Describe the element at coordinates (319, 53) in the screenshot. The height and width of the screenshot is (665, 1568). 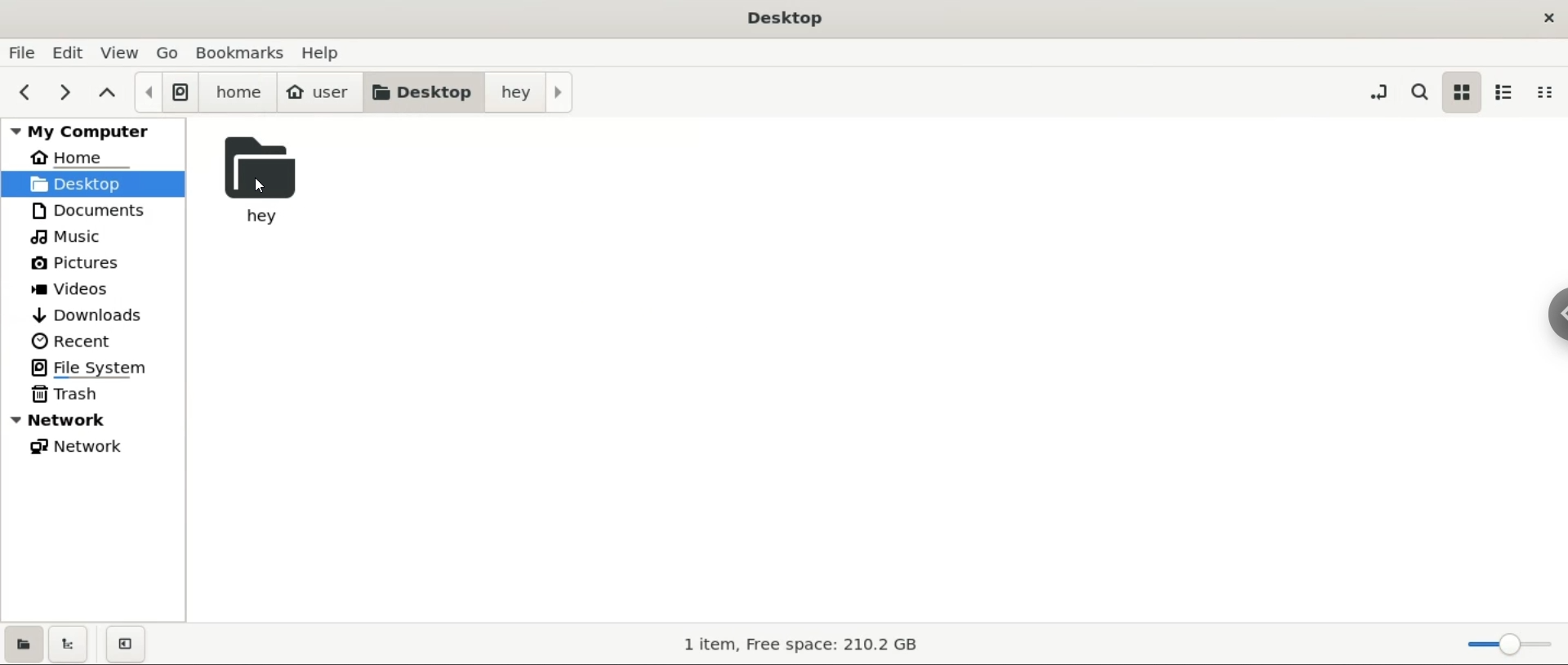
I see `help` at that location.